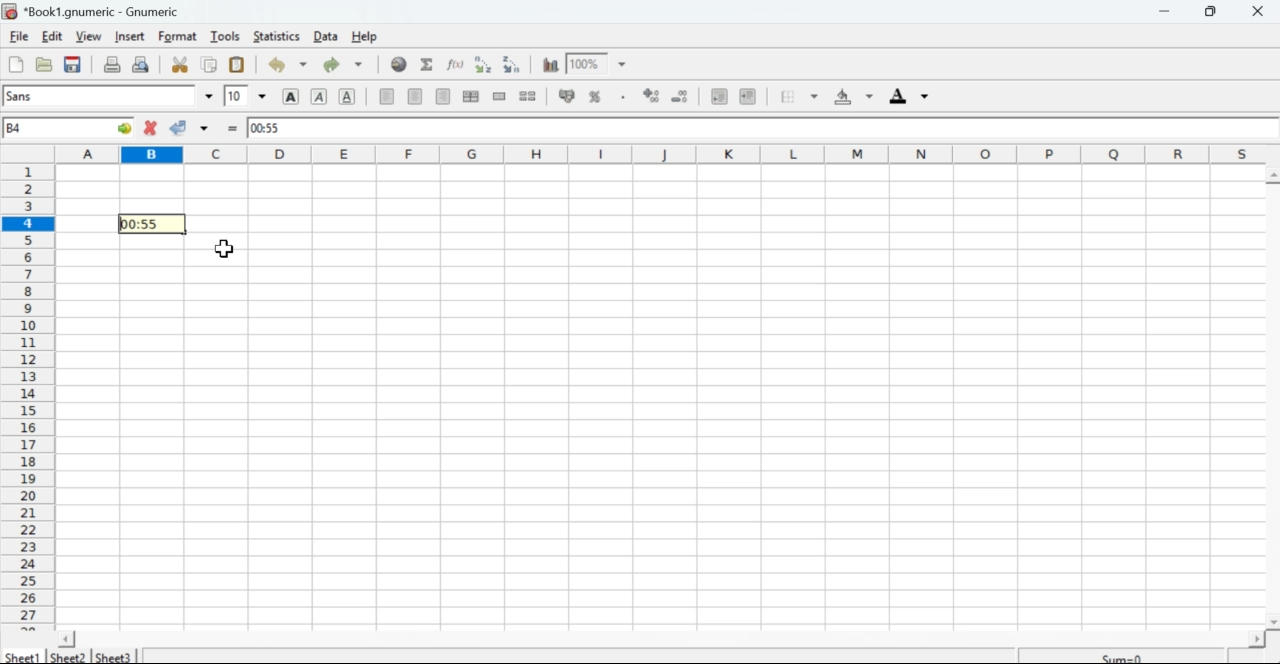 The height and width of the screenshot is (664, 1280). What do you see at coordinates (10, 11) in the screenshot?
I see `icon` at bounding box center [10, 11].